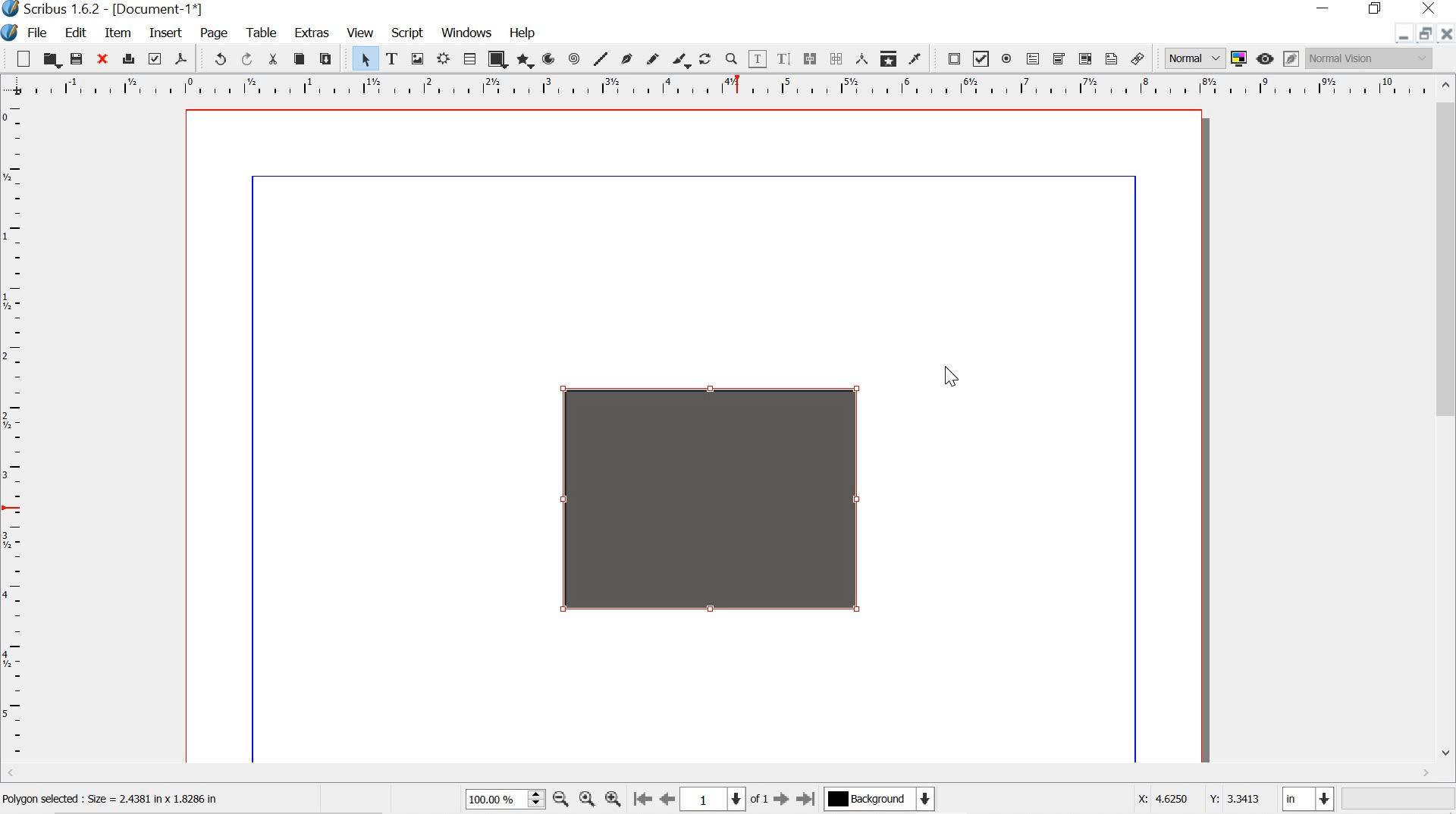 This screenshot has height=814, width=1456. Describe the element at coordinates (210, 31) in the screenshot. I see `page` at that location.